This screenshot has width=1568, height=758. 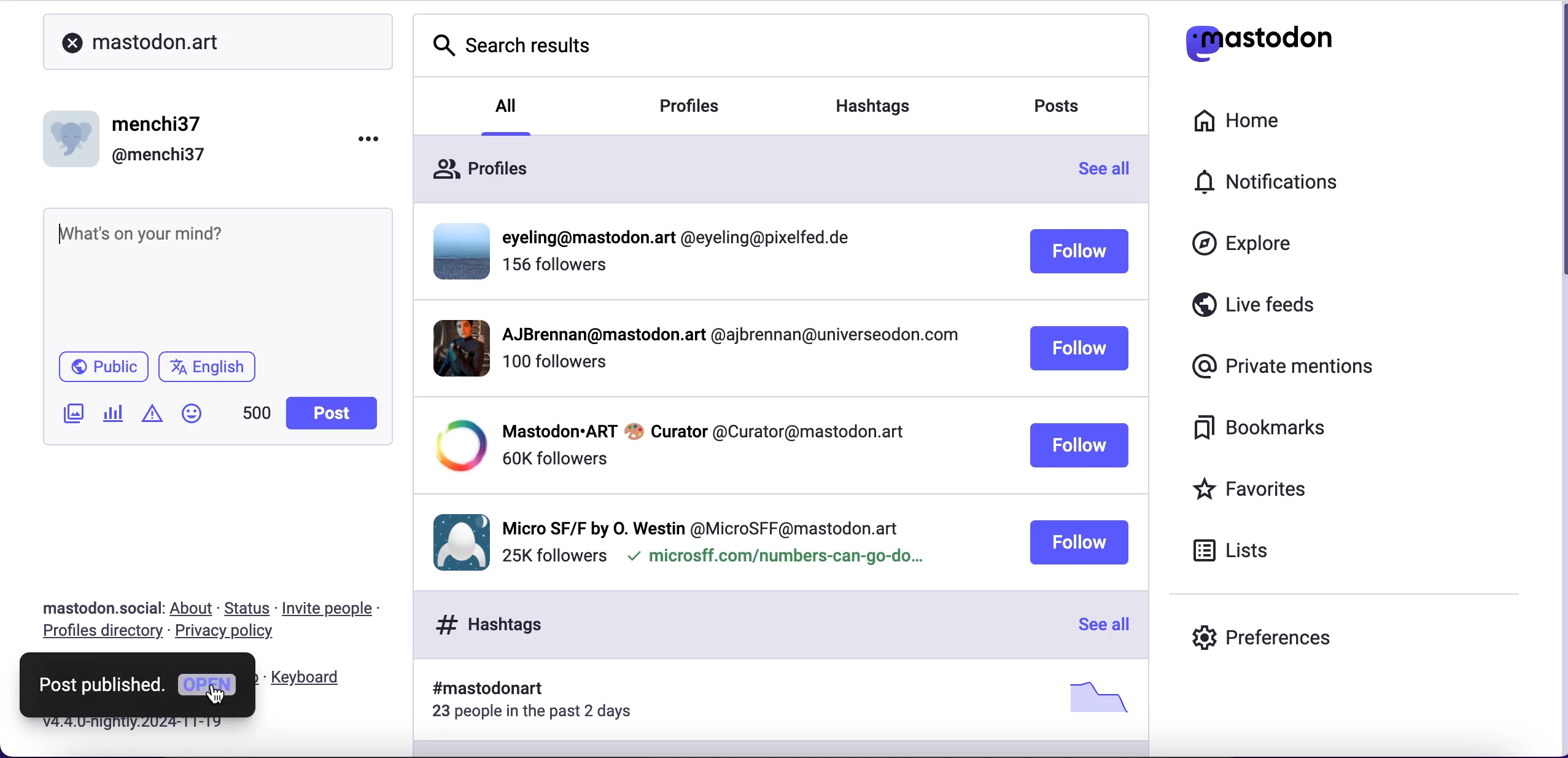 What do you see at coordinates (1098, 623) in the screenshot?
I see `see all` at bounding box center [1098, 623].